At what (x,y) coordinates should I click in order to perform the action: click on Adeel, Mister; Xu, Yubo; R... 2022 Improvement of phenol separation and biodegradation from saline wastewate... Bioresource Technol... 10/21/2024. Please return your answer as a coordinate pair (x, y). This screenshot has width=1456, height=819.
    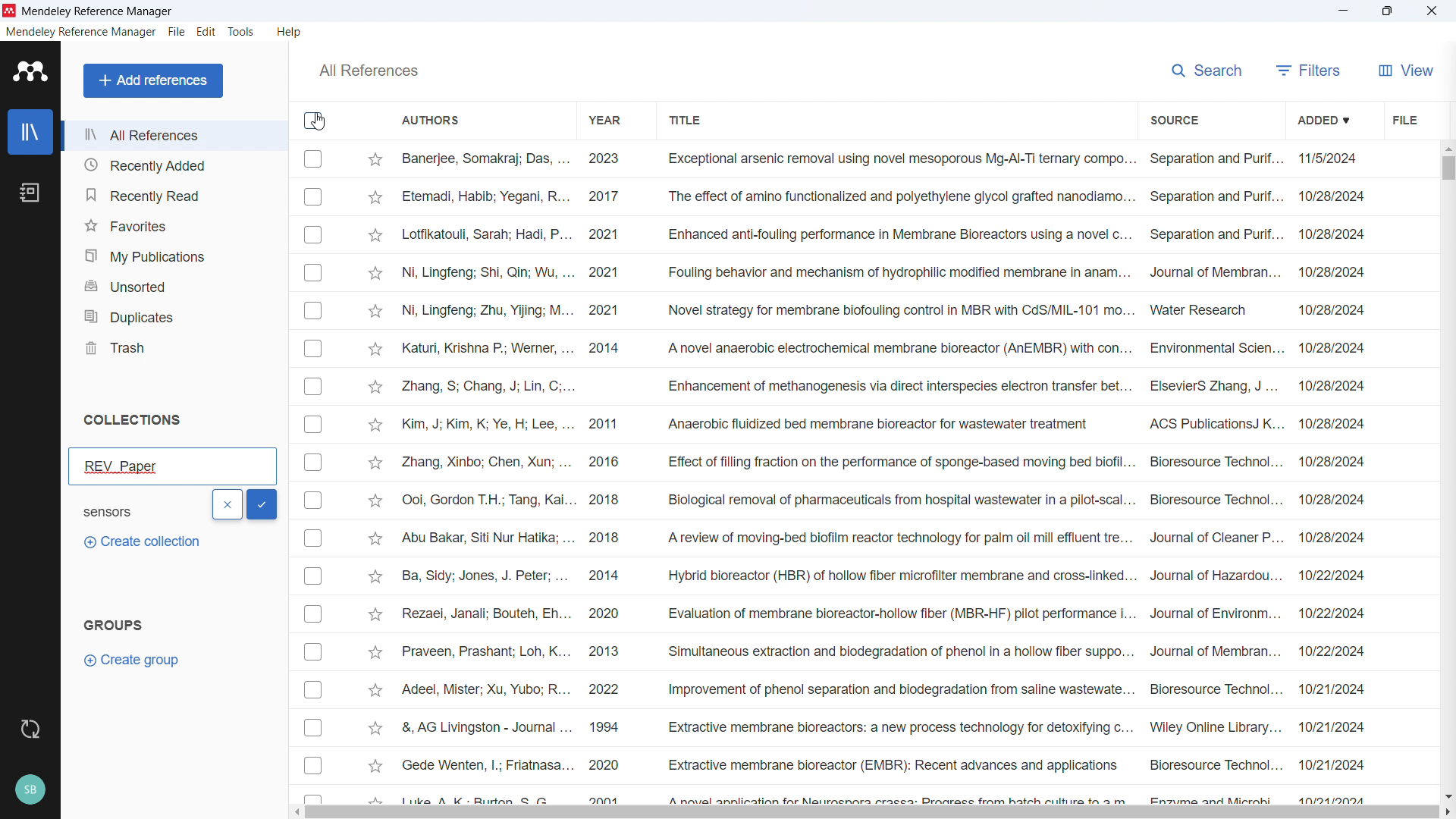
    Looking at the image, I should click on (882, 689).